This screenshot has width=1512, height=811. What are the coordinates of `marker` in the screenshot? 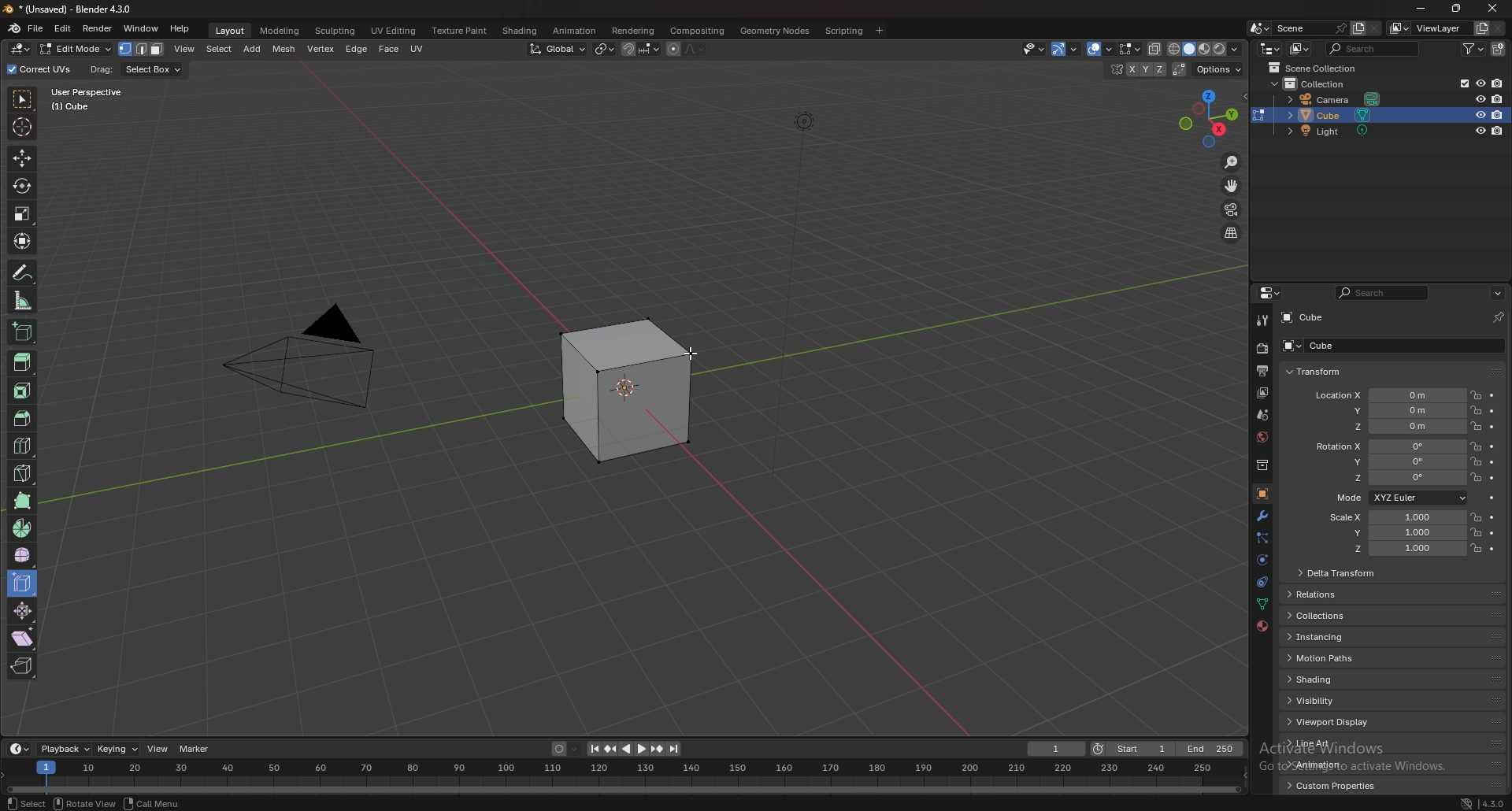 It's located at (195, 749).